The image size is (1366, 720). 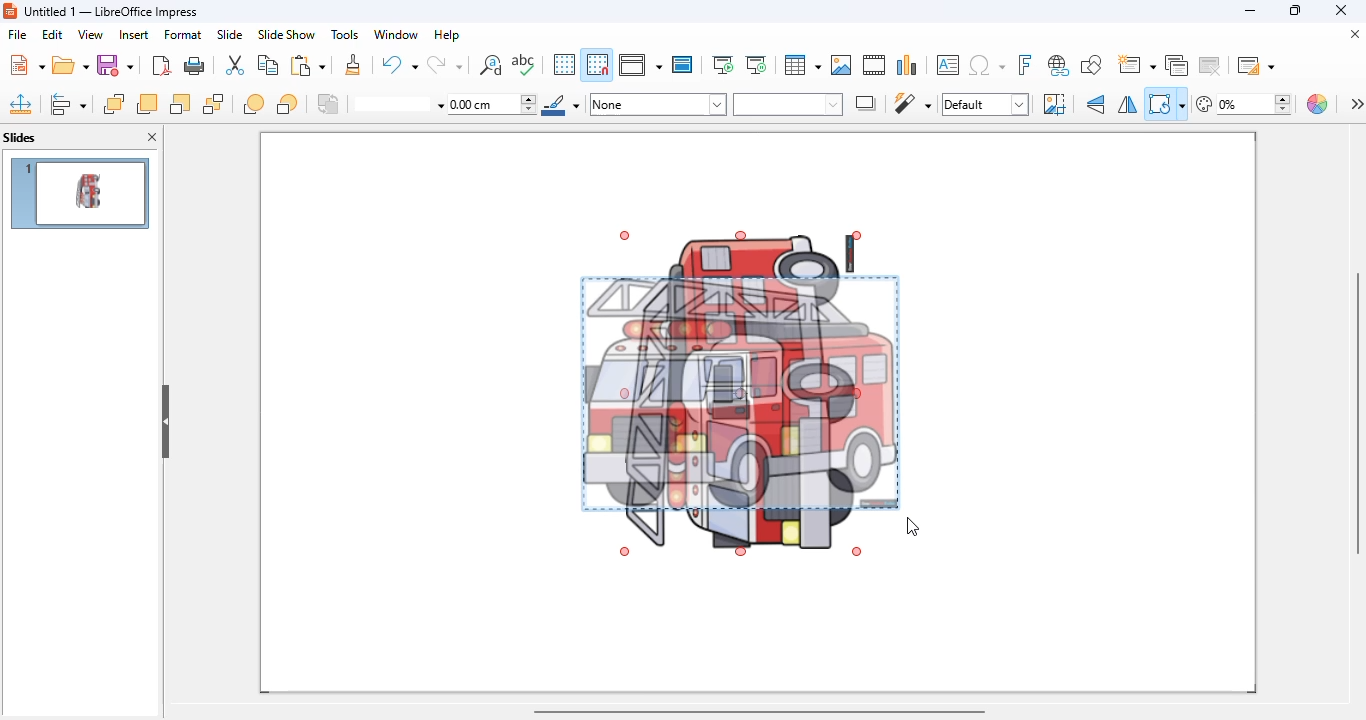 What do you see at coordinates (756, 65) in the screenshot?
I see `start from current slide` at bounding box center [756, 65].